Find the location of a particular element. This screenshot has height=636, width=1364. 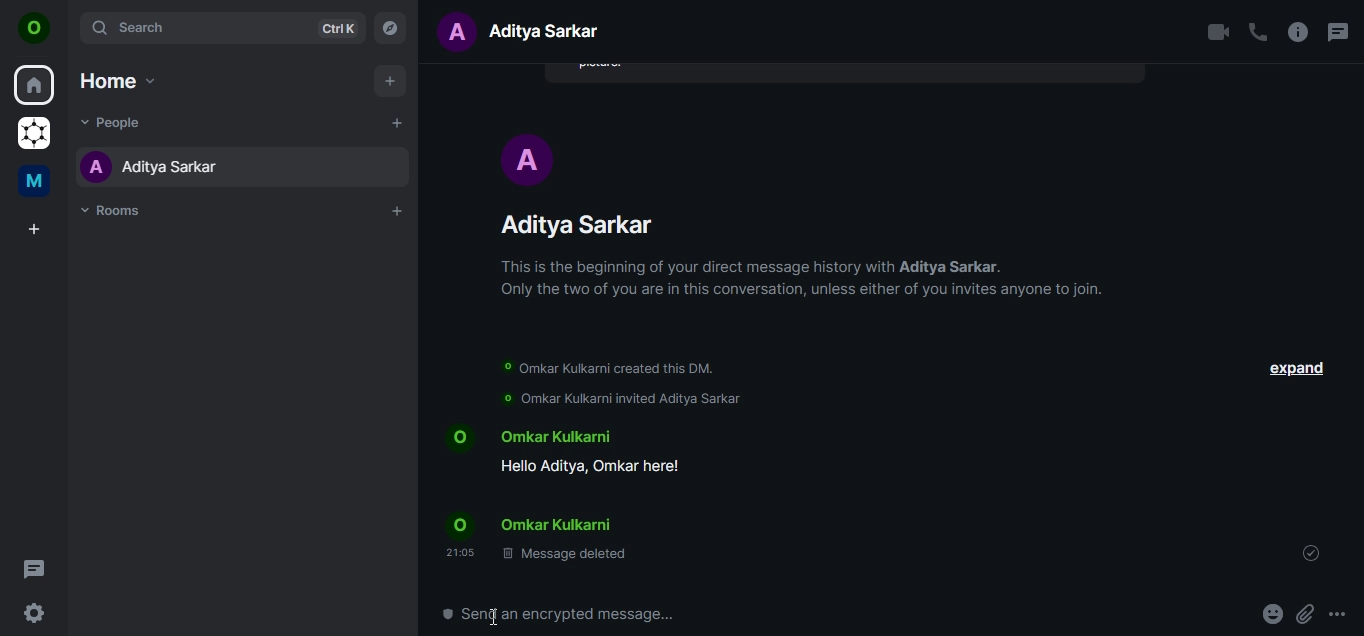

attachment is located at coordinates (1304, 614).